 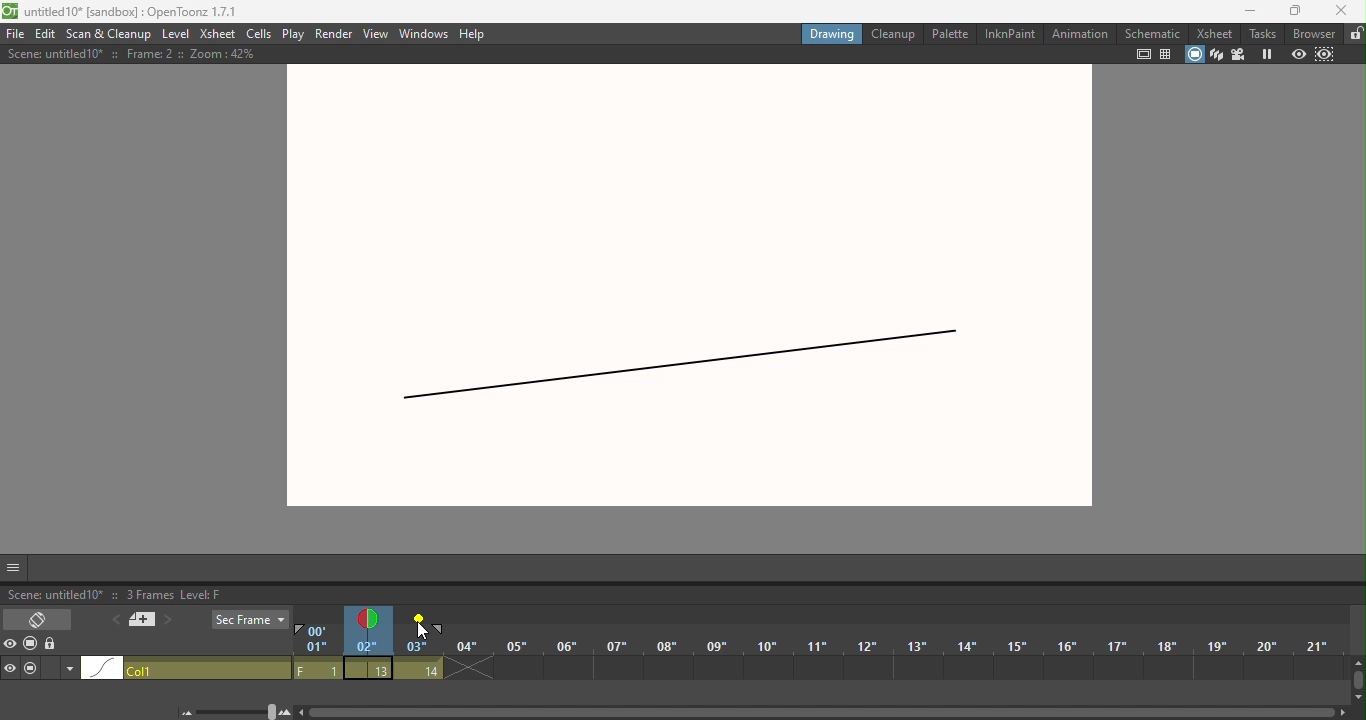 I want to click on View, so click(x=377, y=33).